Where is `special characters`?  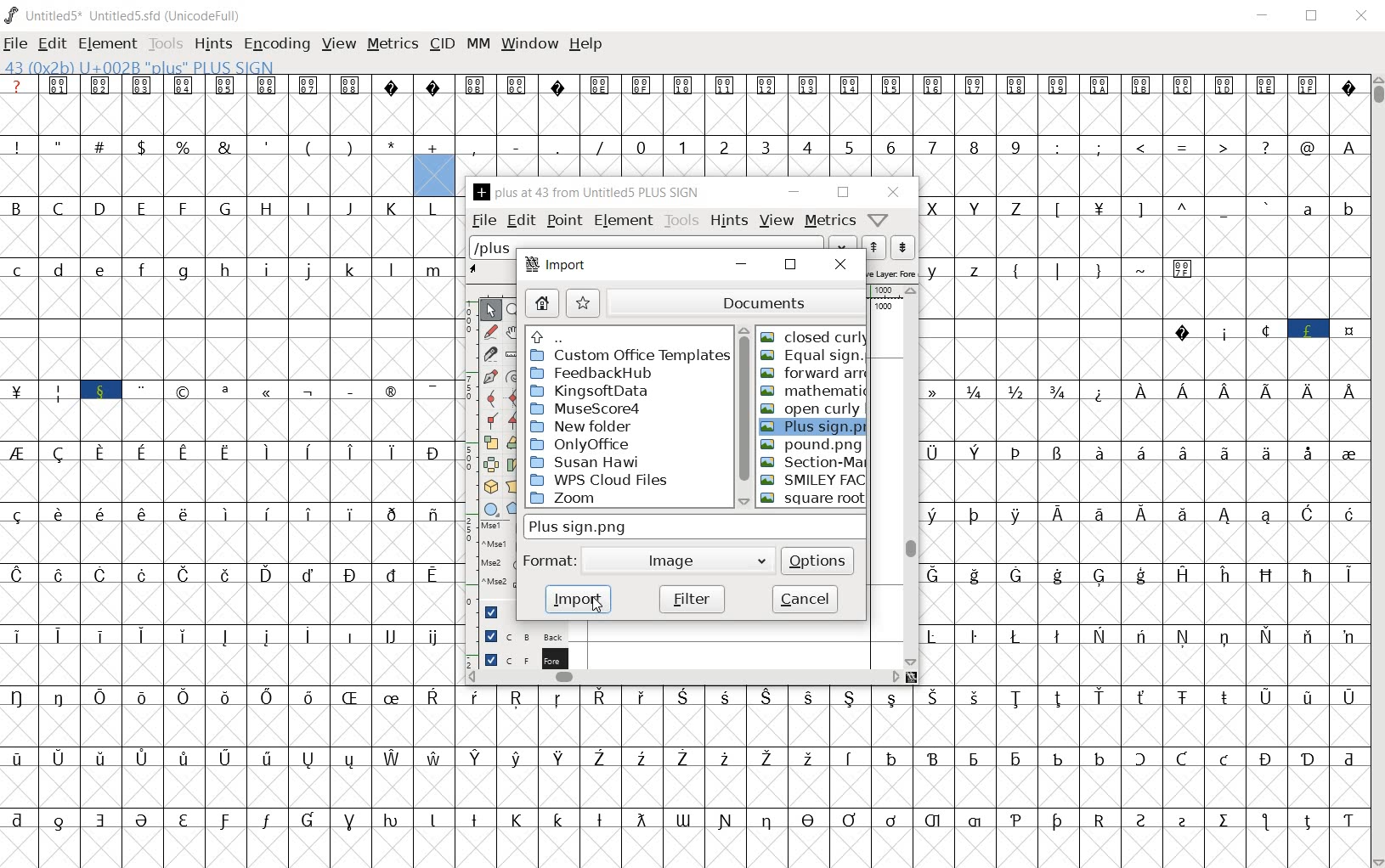
special characters is located at coordinates (1100, 288).